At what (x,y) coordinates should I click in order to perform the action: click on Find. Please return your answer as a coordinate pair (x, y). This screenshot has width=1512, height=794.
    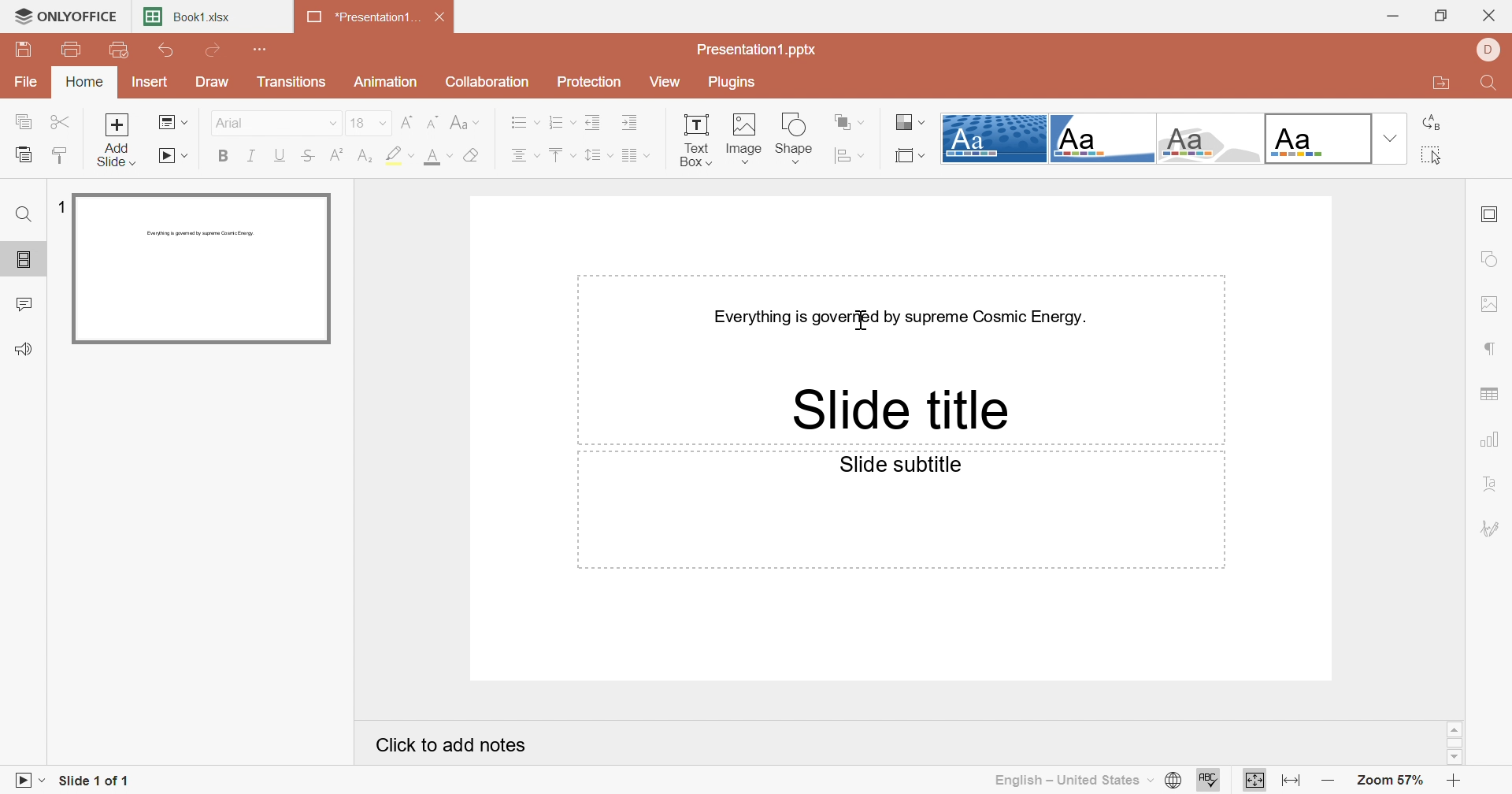
    Looking at the image, I should click on (24, 212).